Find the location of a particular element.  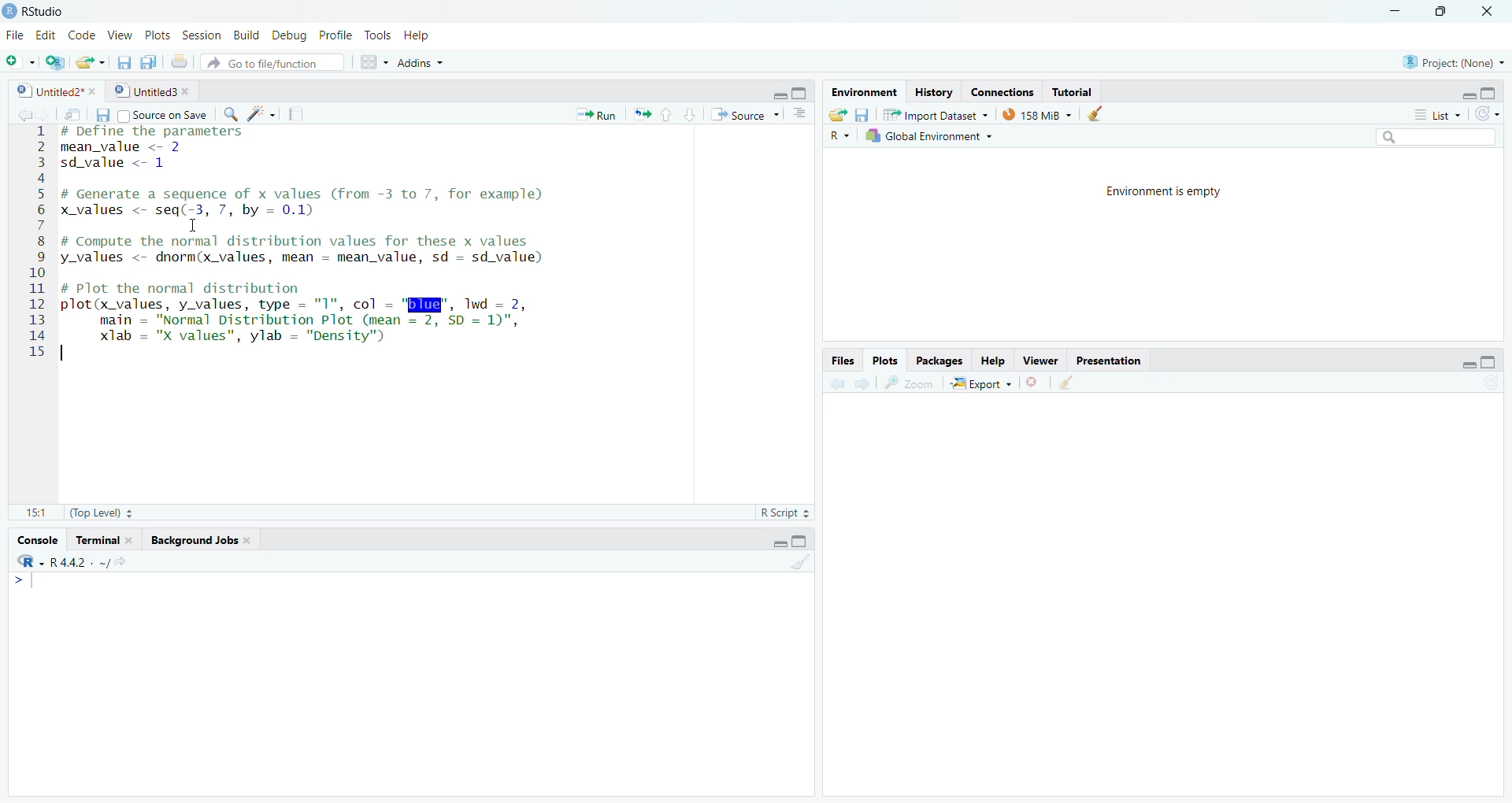

 is located at coordinates (100, 116).